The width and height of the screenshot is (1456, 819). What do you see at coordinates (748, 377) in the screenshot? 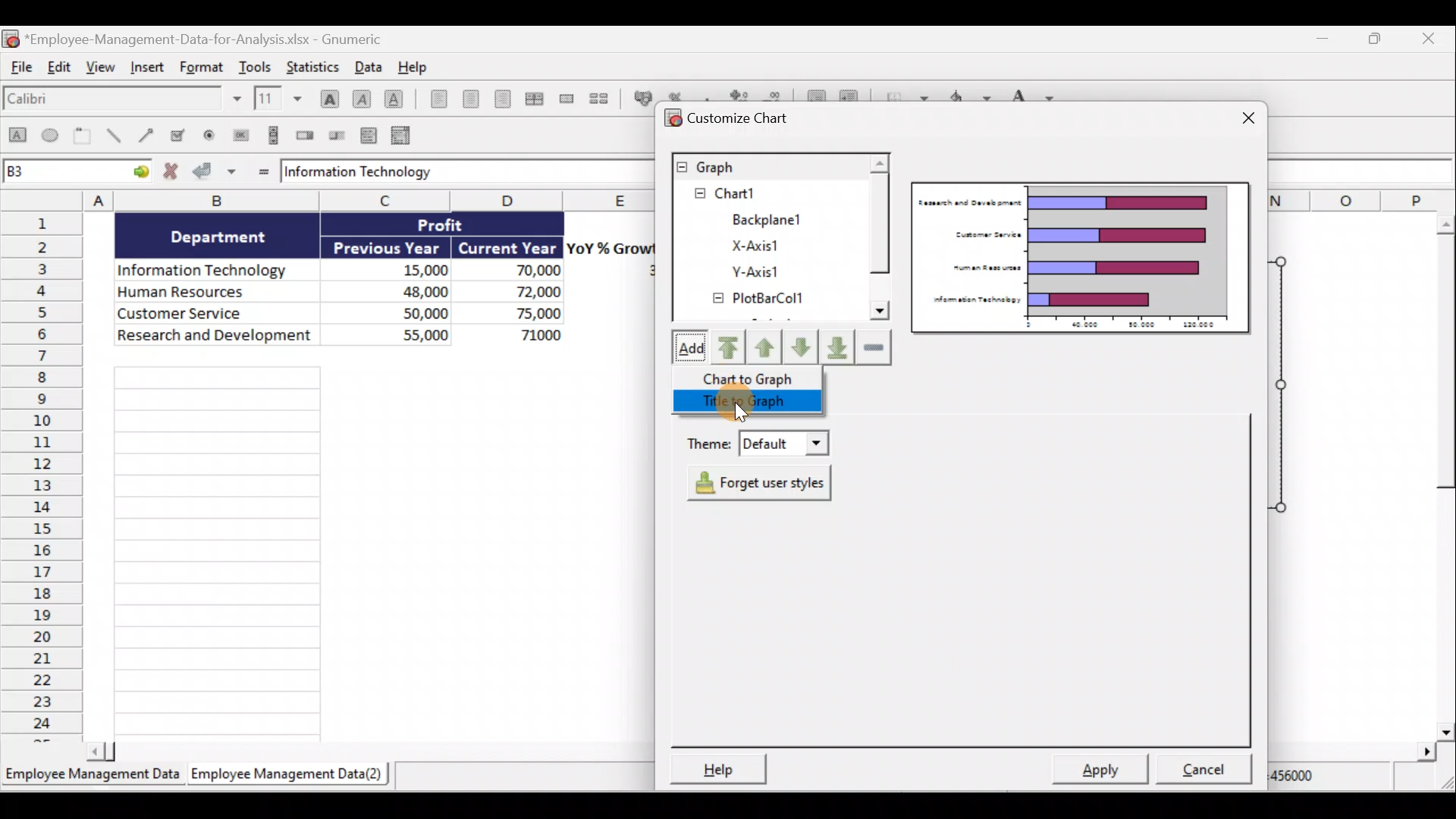
I see `Chart to graph` at bounding box center [748, 377].